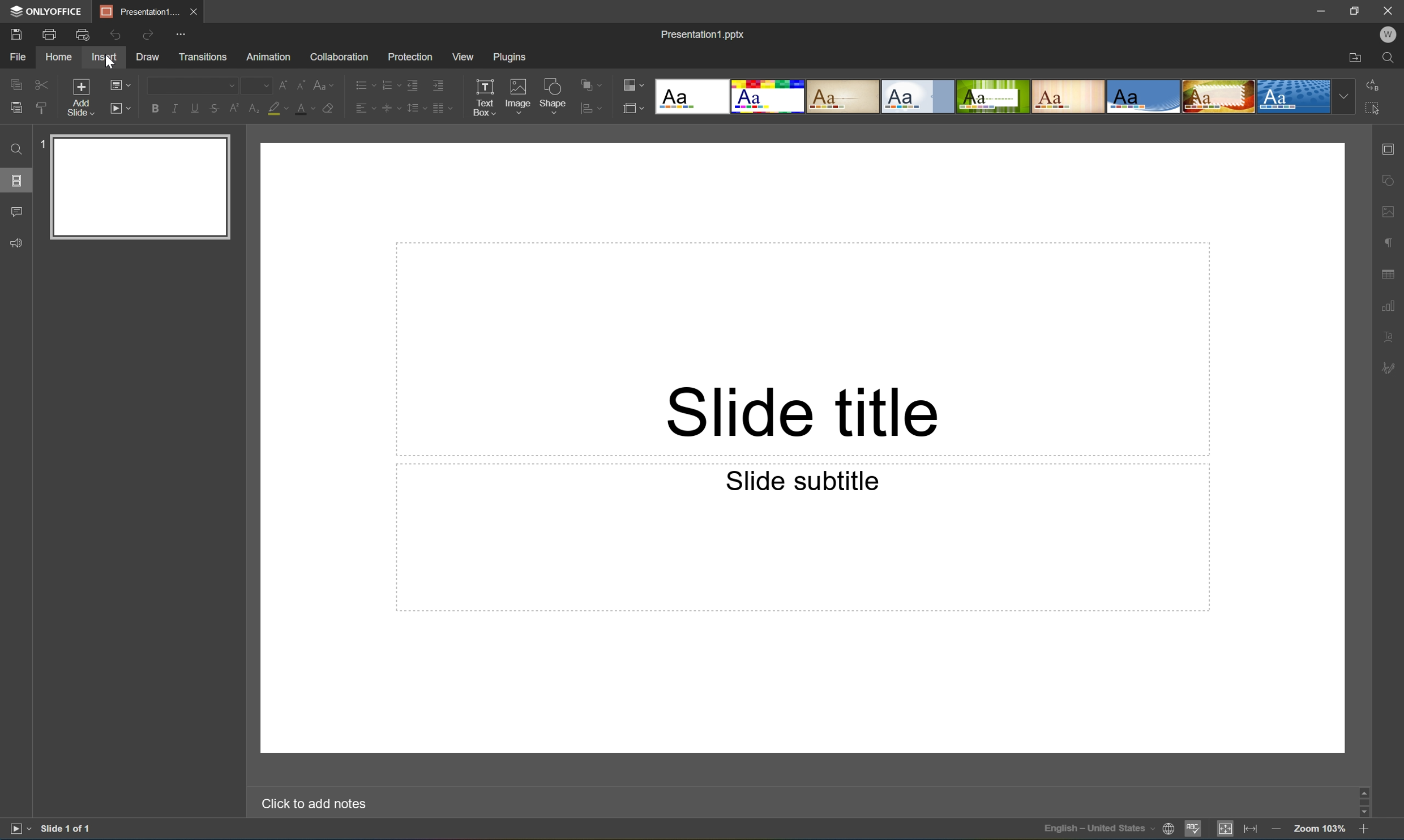 The height and width of the screenshot is (840, 1404). What do you see at coordinates (416, 109) in the screenshot?
I see `Line spacing` at bounding box center [416, 109].